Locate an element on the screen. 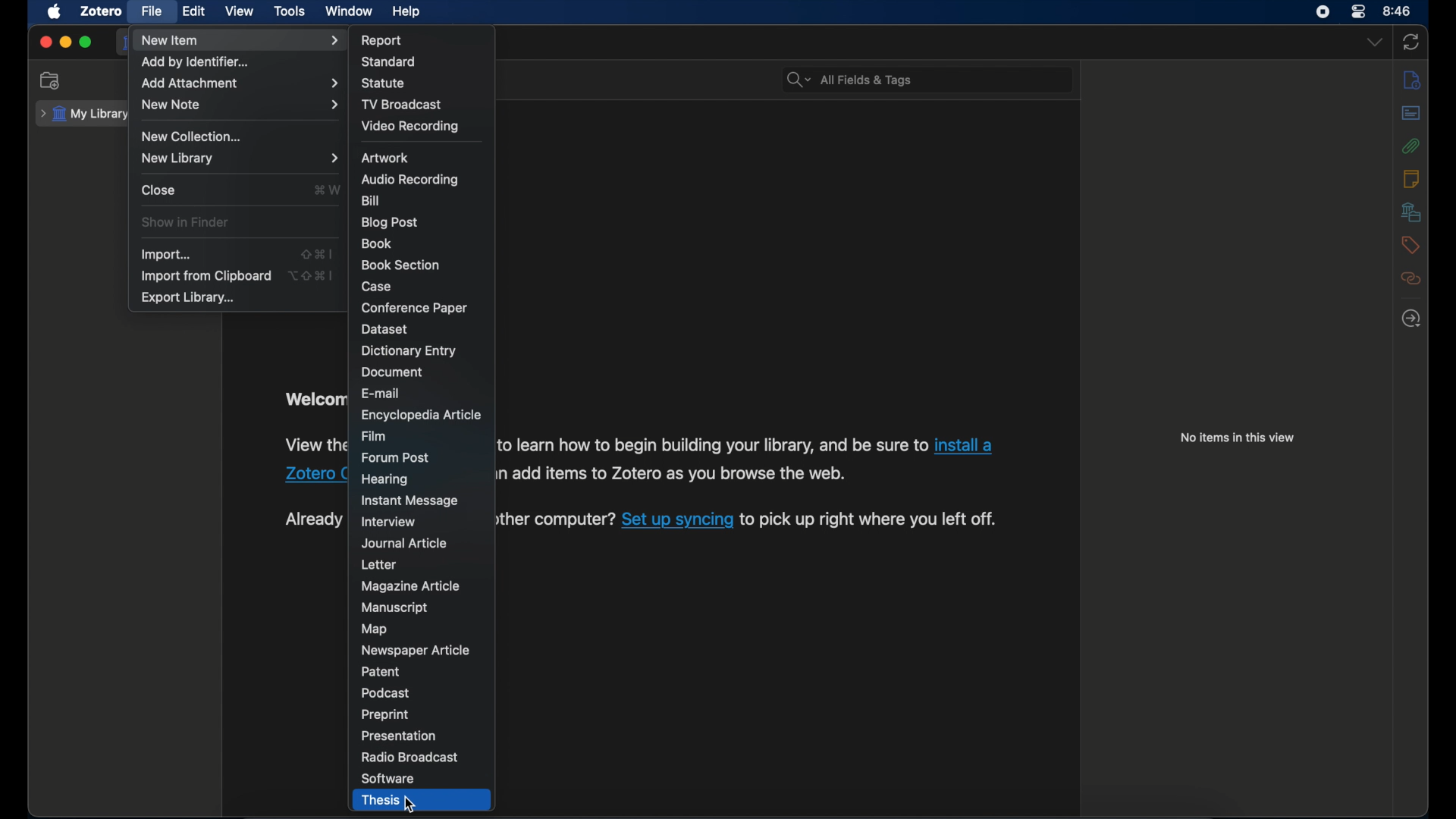 This screenshot has height=819, width=1456. thesis is located at coordinates (379, 801).